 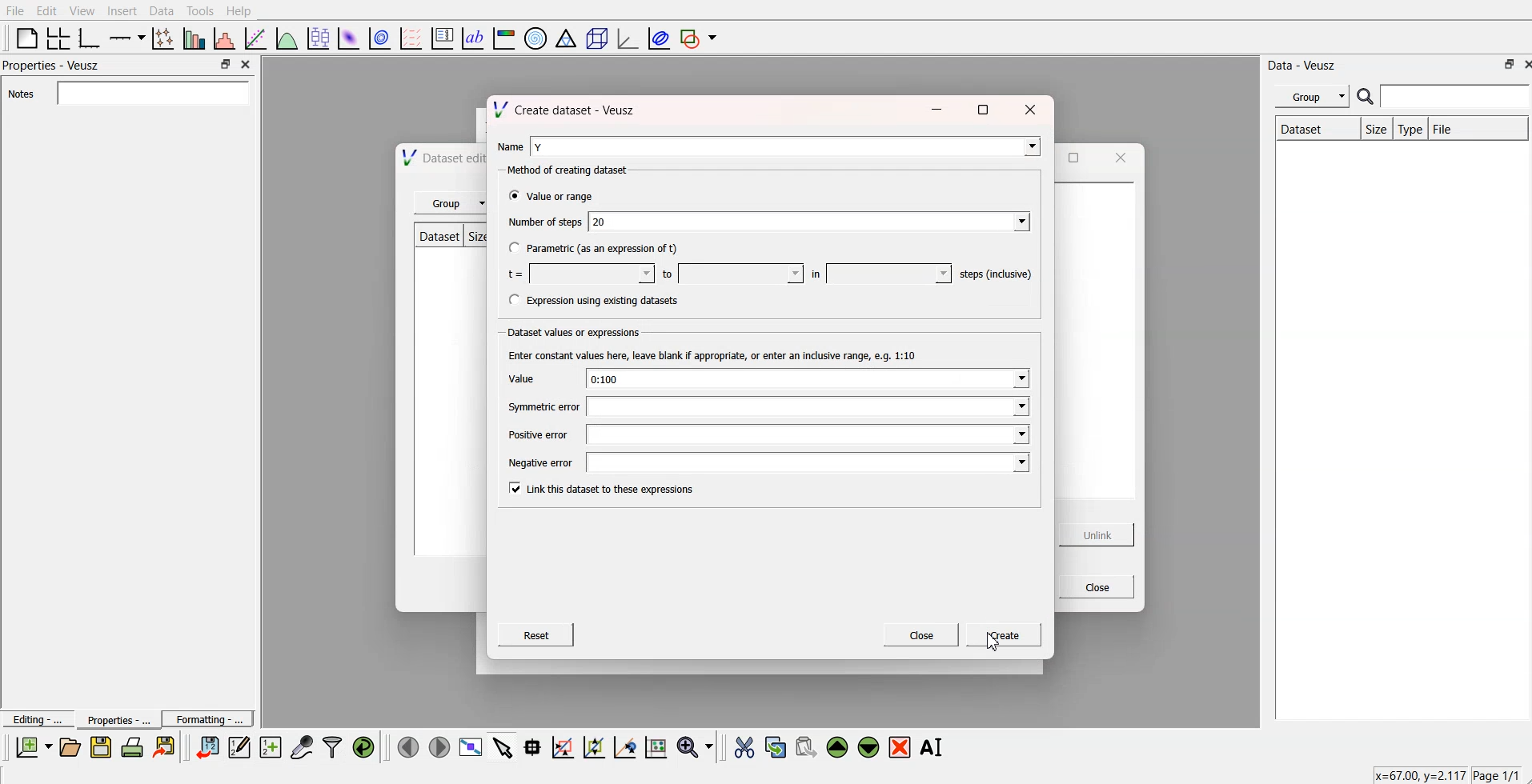 I want to click on Close, so click(x=1091, y=586).